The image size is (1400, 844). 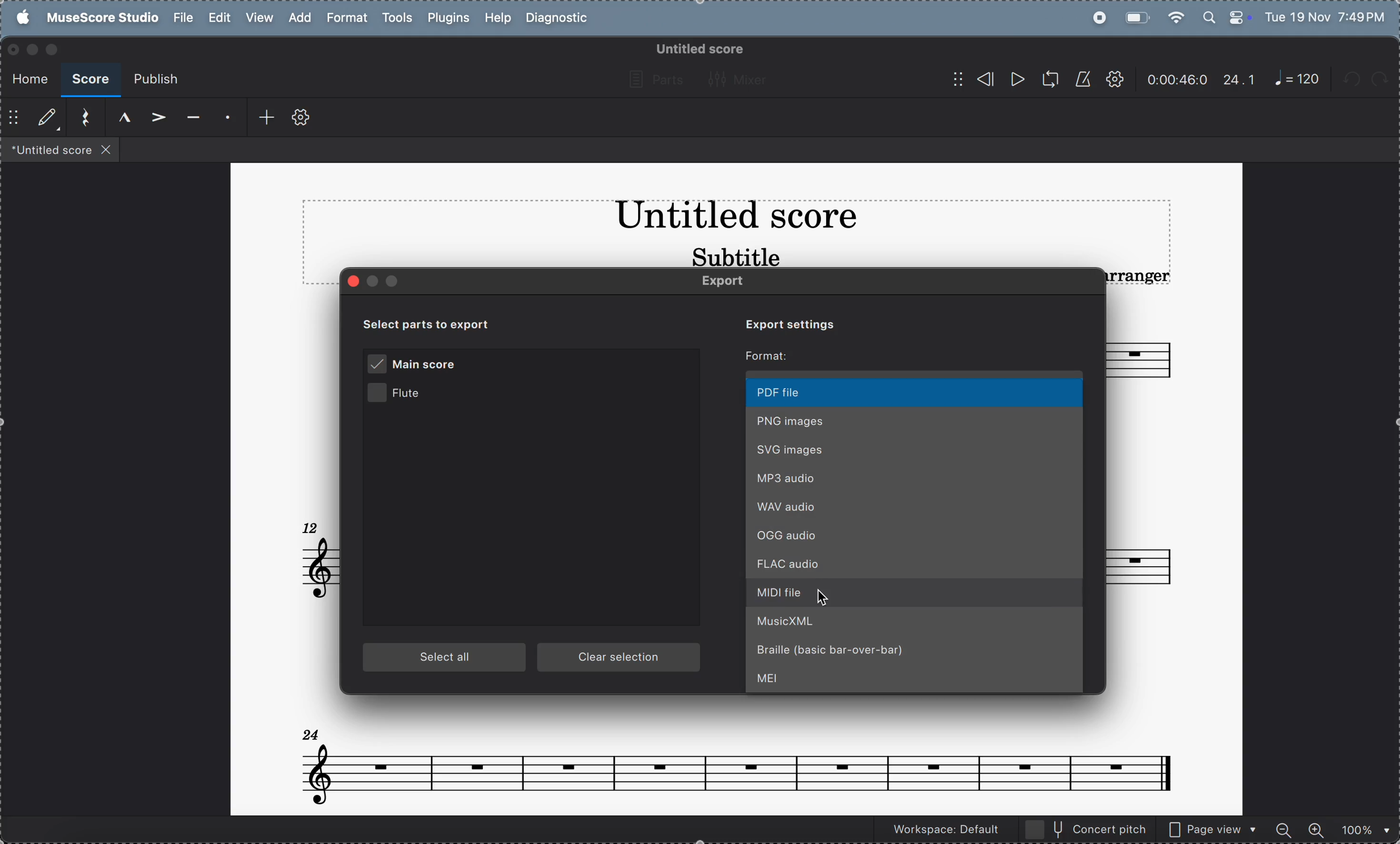 What do you see at coordinates (915, 478) in the screenshot?
I see `MP3` at bounding box center [915, 478].